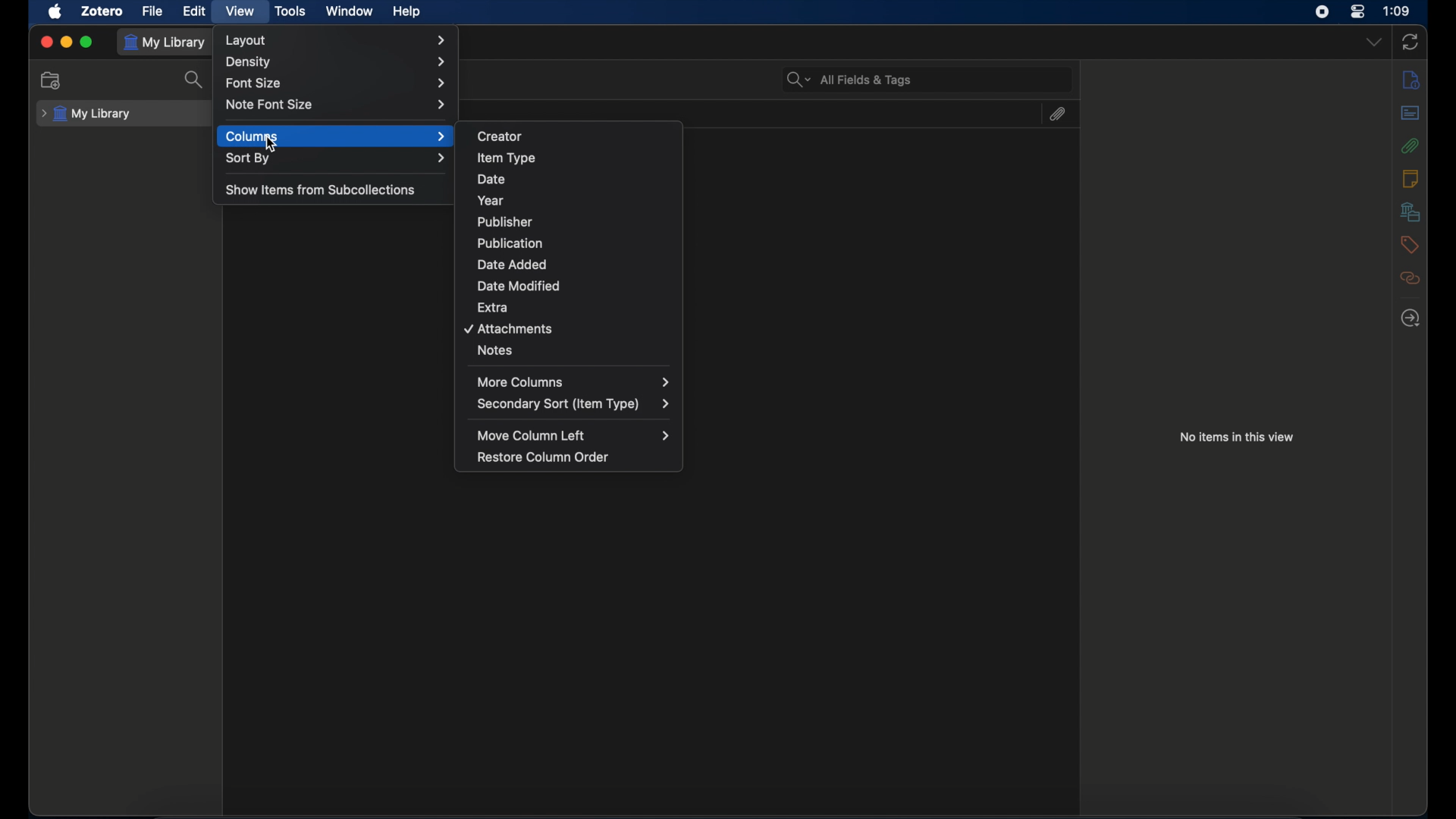 The width and height of the screenshot is (1456, 819). I want to click on note font size, so click(337, 105).